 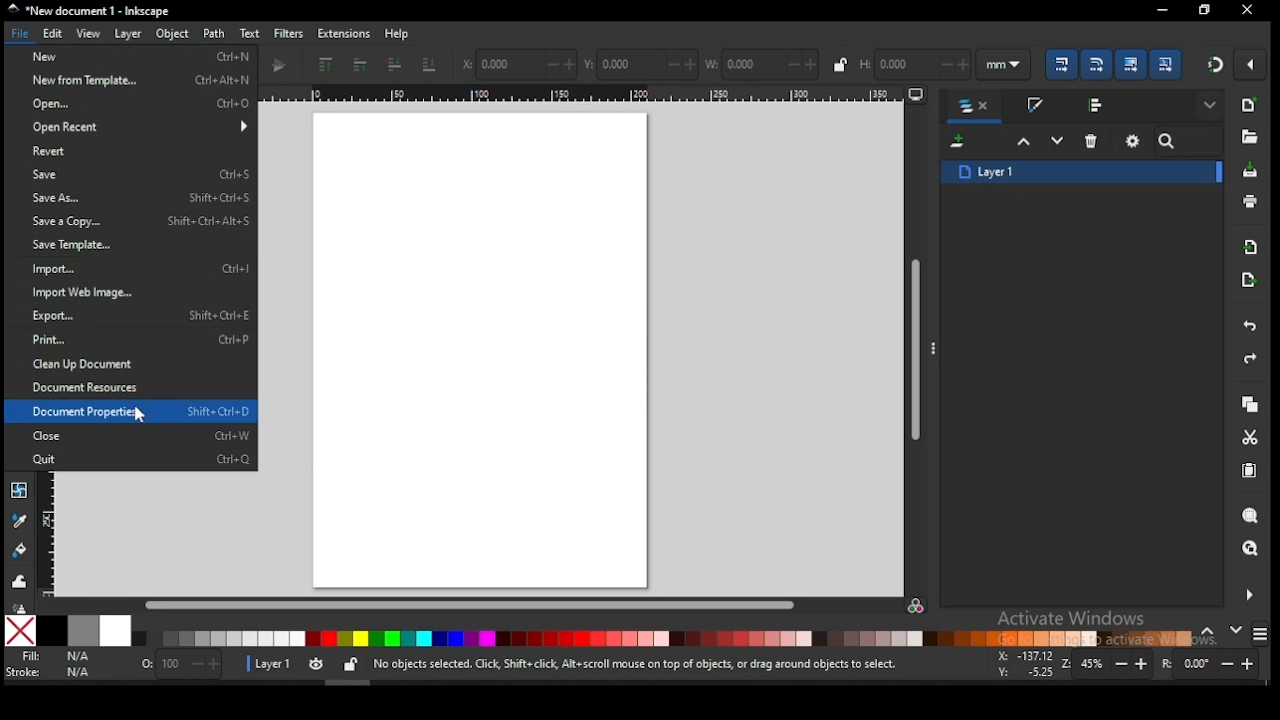 What do you see at coordinates (662, 638) in the screenshot?
I see `color palette` at bounding box center [662, 638].